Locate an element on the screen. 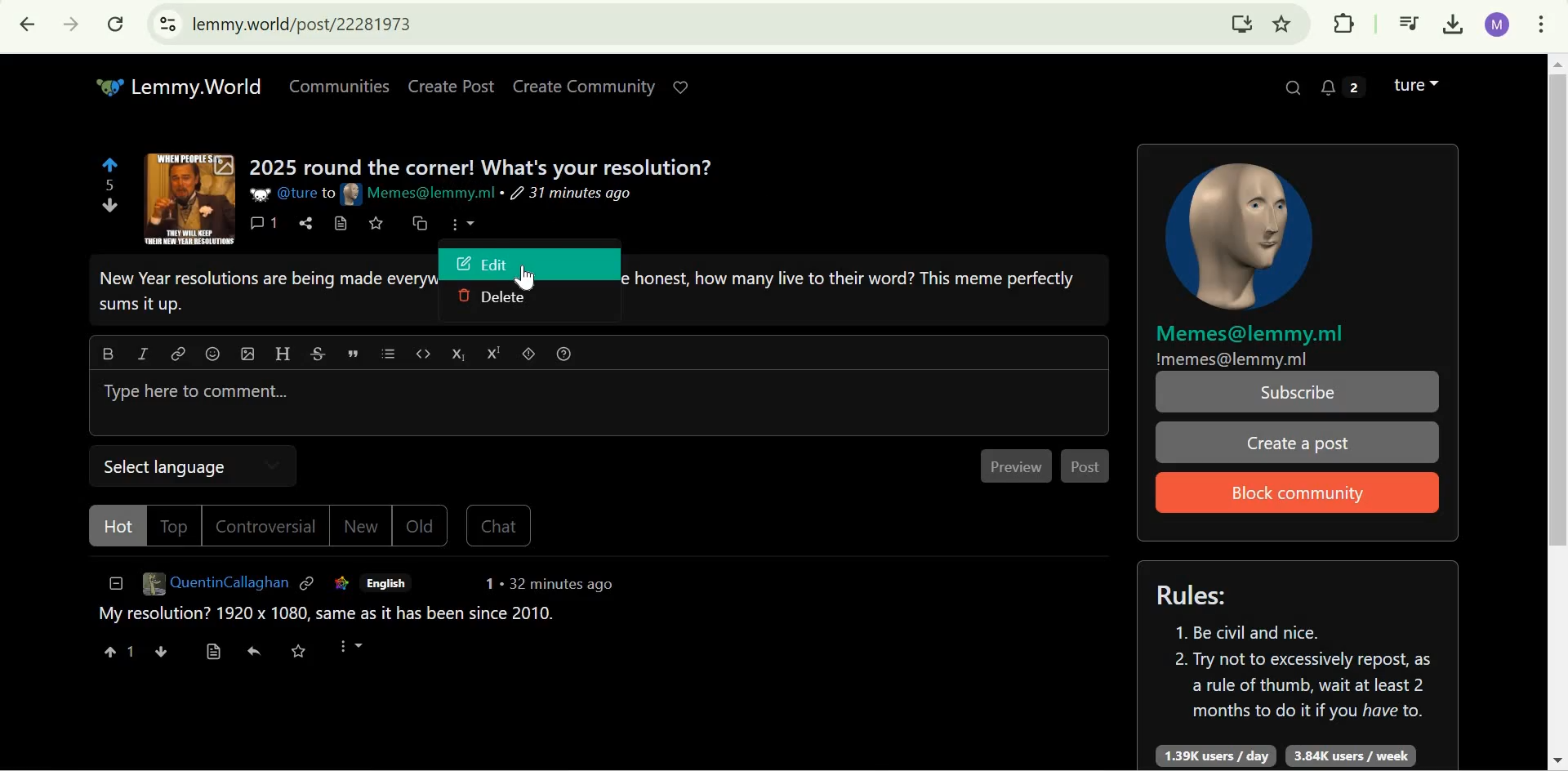 The image size is (1568, 771). View site information is located at coordinates (167, 25).